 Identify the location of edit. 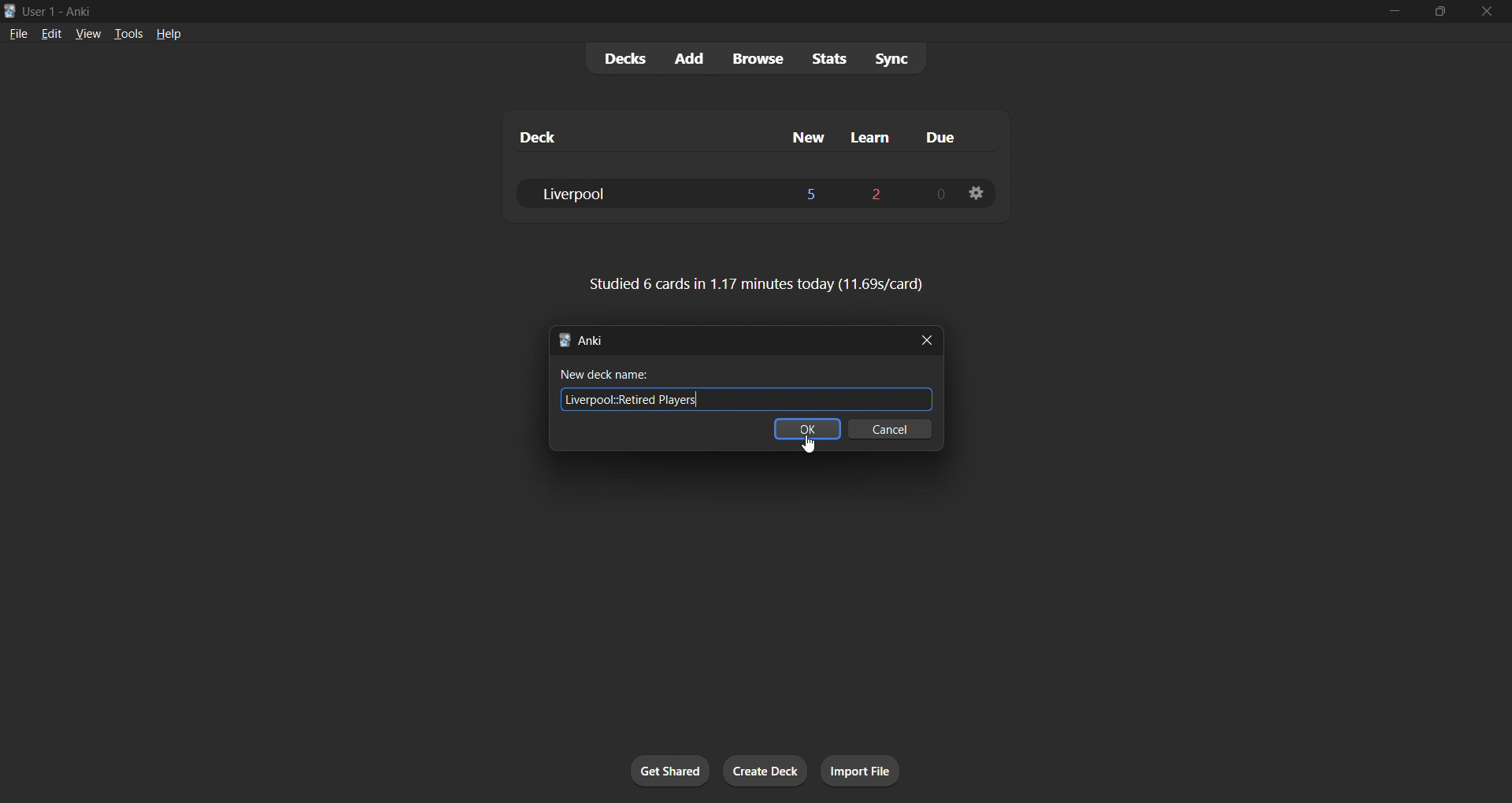
(46, 33).